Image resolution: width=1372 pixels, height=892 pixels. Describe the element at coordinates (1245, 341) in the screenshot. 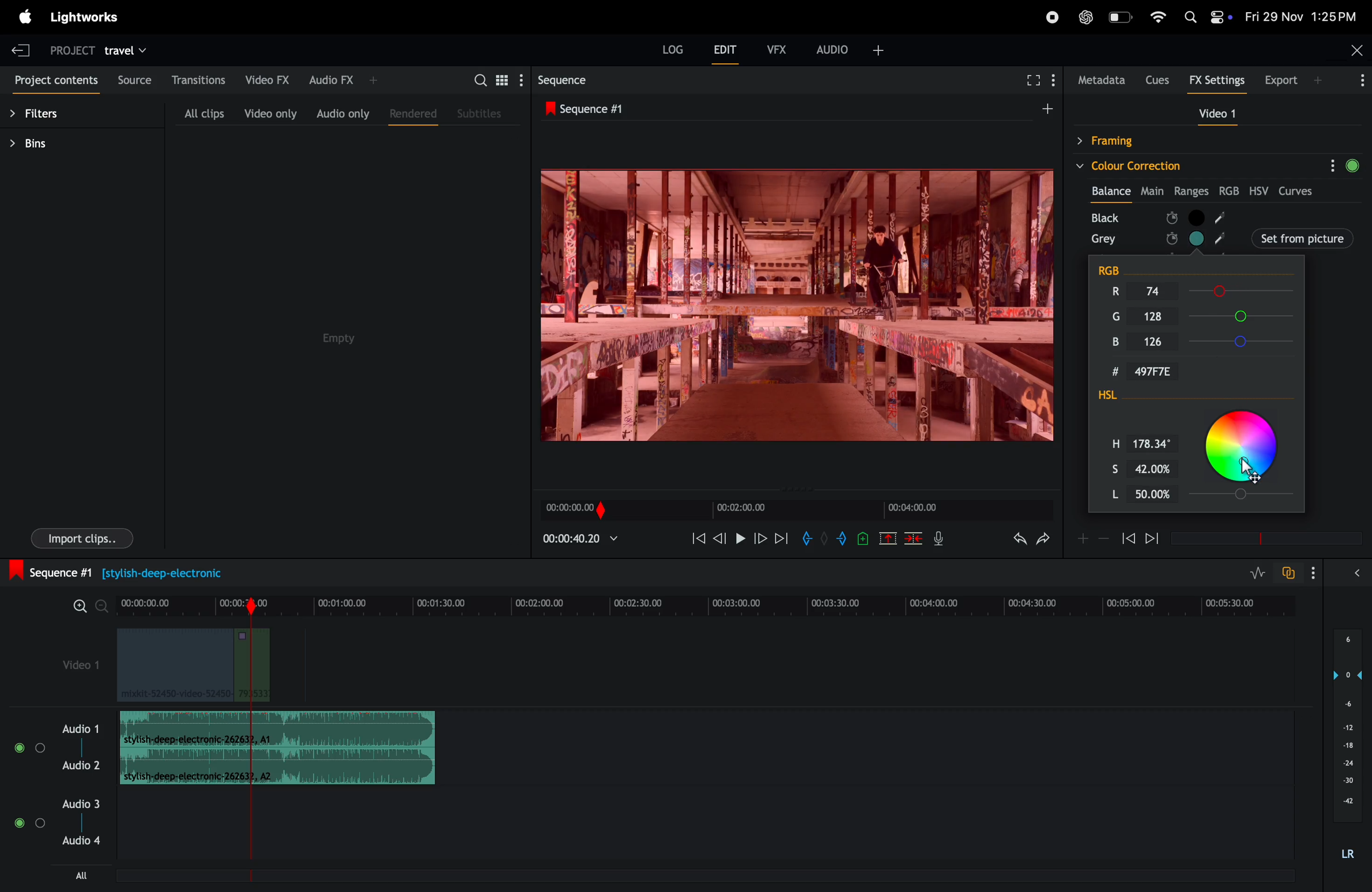

I see `B Slider` at that location.